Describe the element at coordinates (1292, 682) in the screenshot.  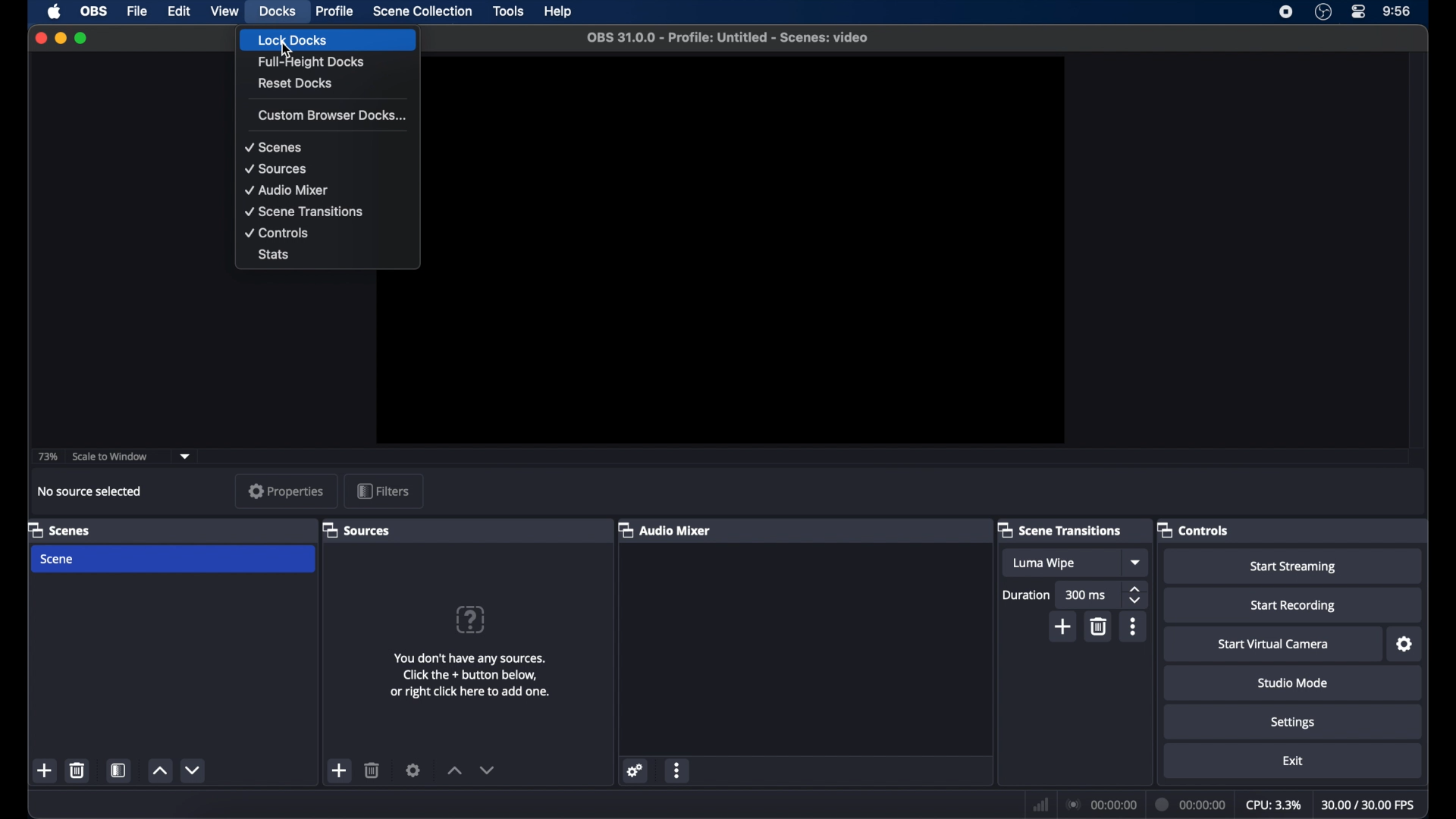
I see `studio mode` at that location.